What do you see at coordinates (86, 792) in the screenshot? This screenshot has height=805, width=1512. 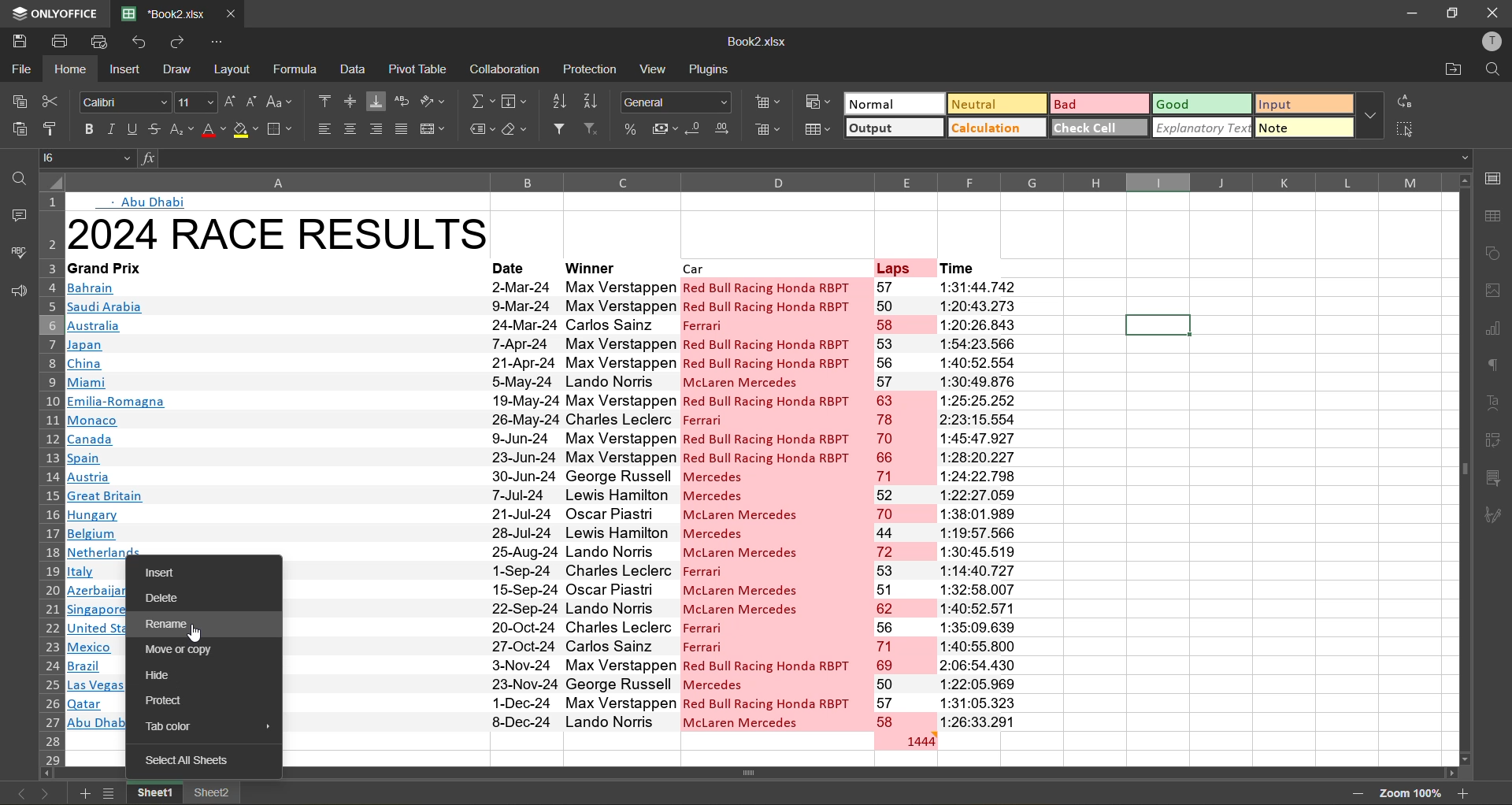 I see `add sheet` at bounding box center [86, 792].